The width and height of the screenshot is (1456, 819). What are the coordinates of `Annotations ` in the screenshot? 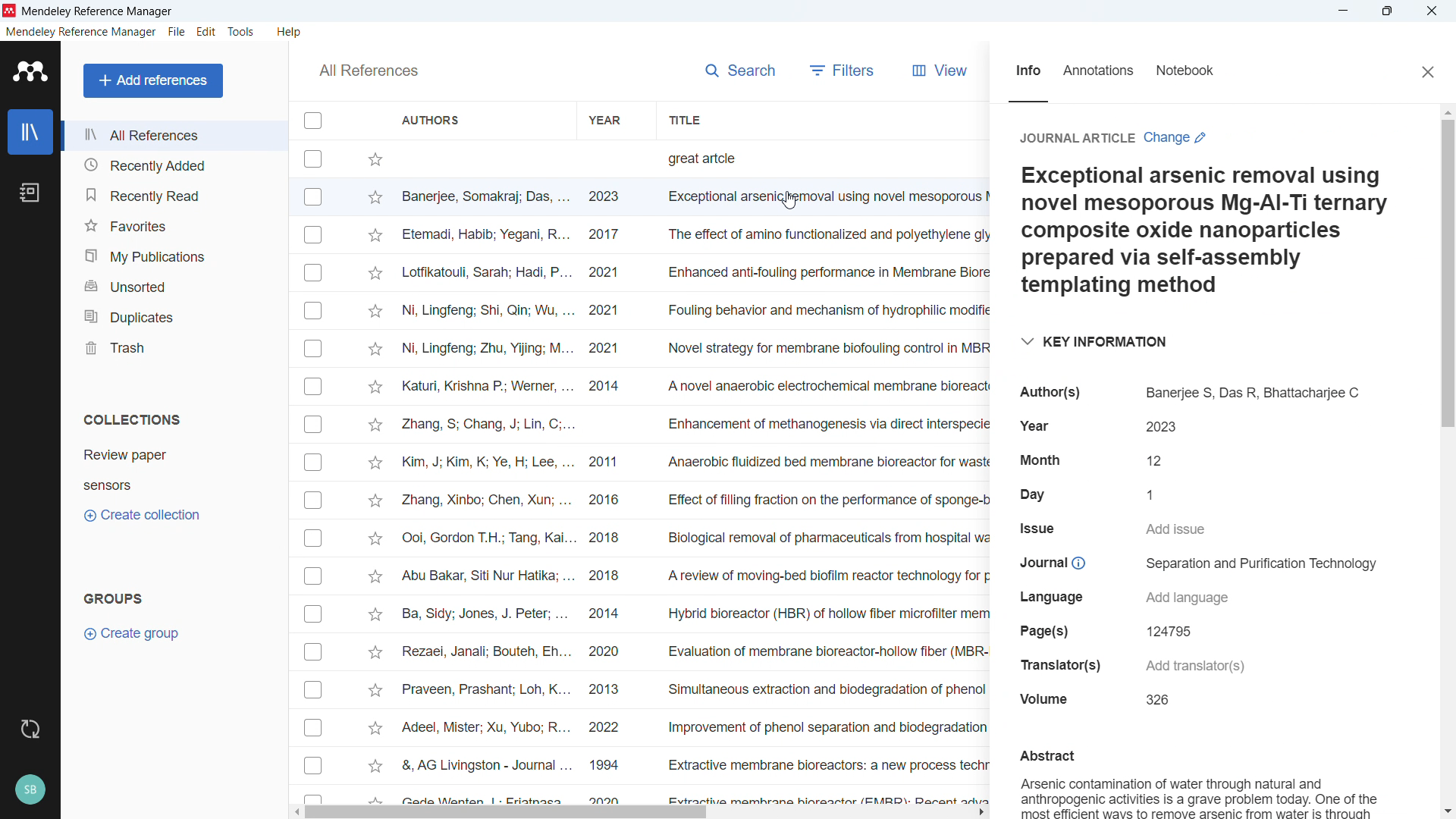 It's located at (1099, 72).